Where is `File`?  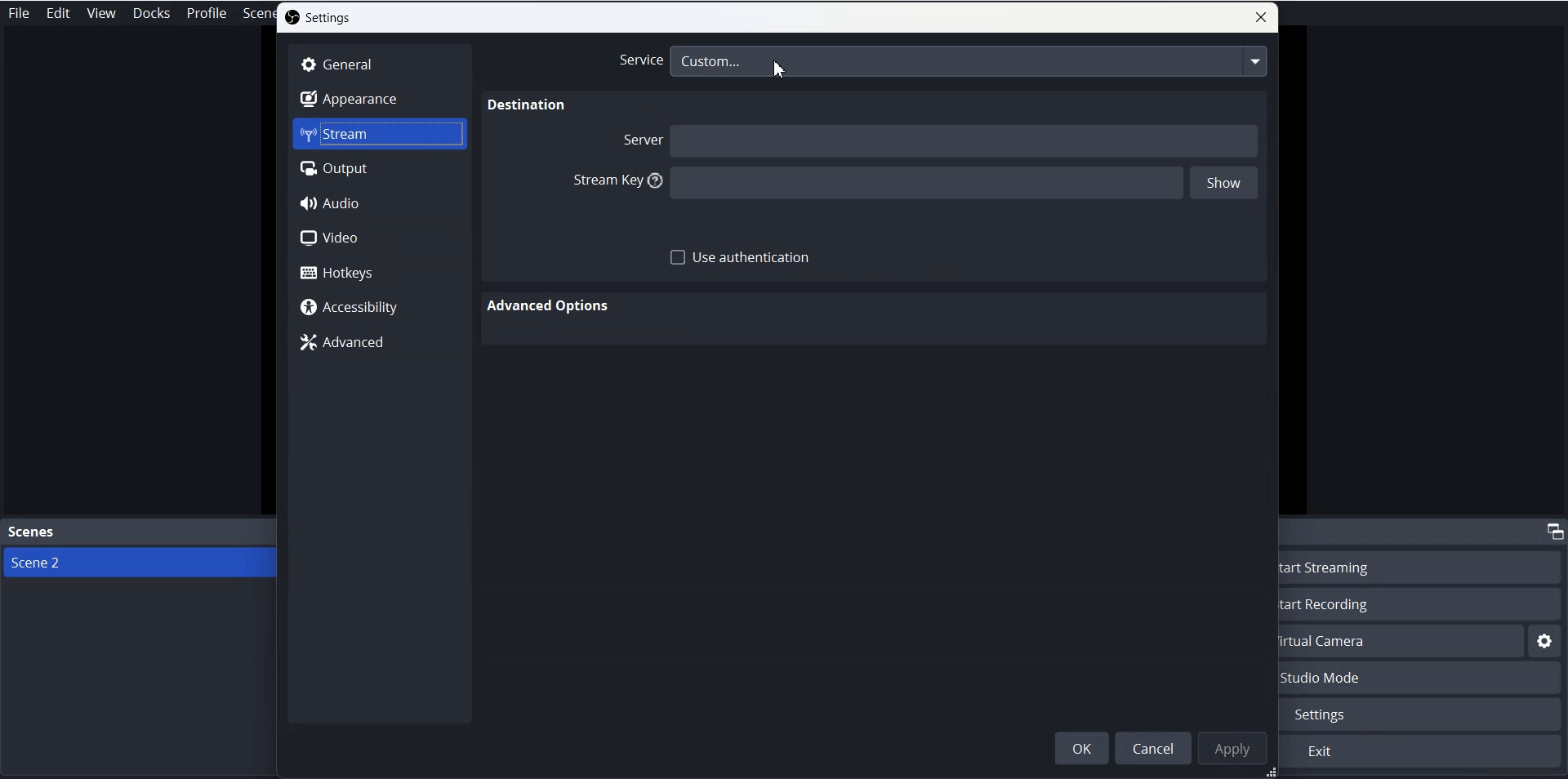 File is located at coordinates (21, 12).